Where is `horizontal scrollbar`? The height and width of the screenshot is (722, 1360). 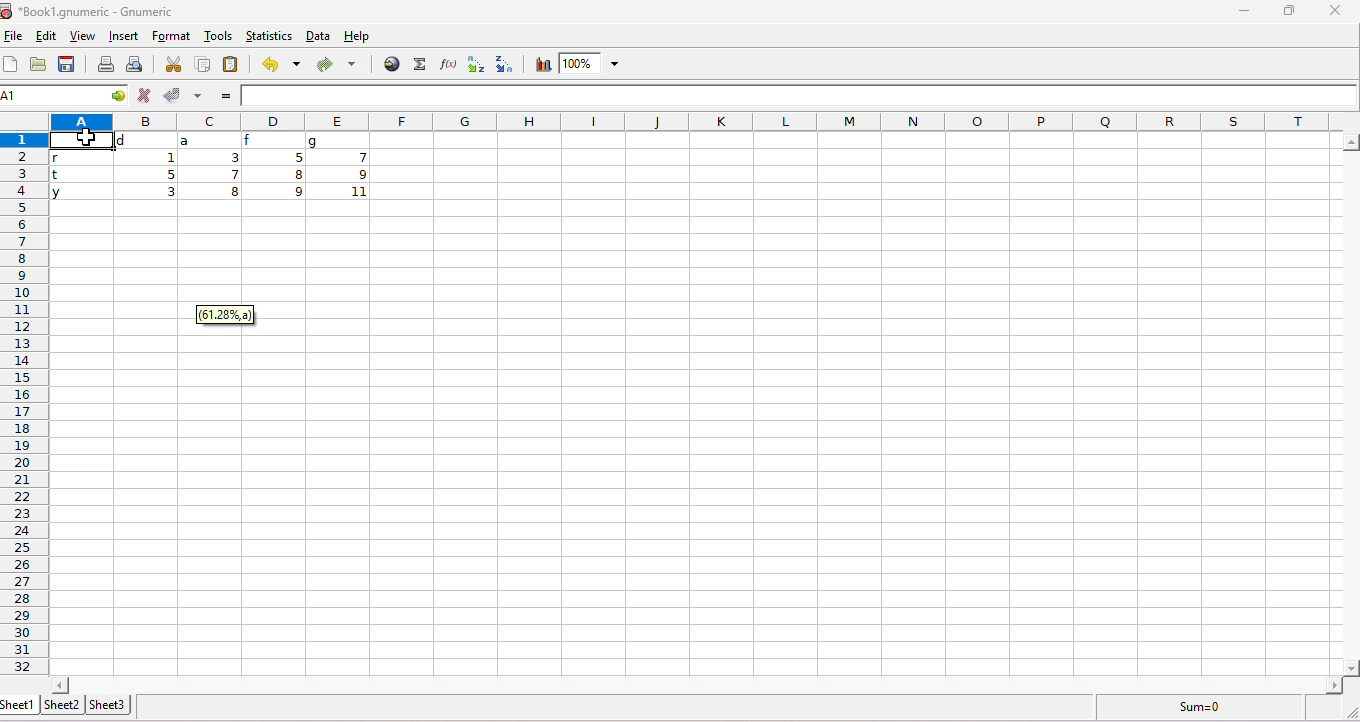
horizontal scrollbar is located at coordinates (1350, 406).